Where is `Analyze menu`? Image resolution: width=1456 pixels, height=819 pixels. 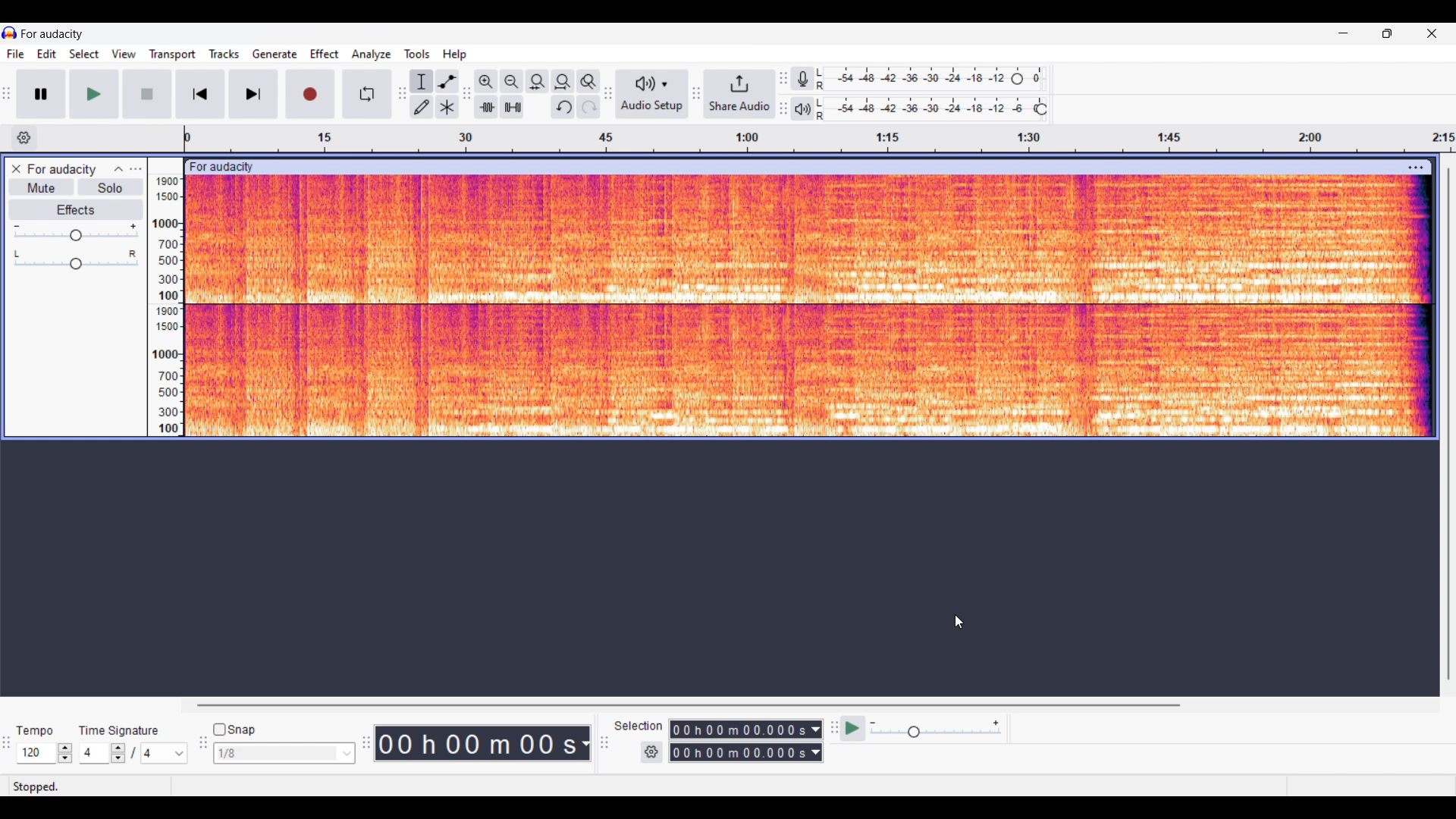
Analyze menu is located at coordinates (372, 55).